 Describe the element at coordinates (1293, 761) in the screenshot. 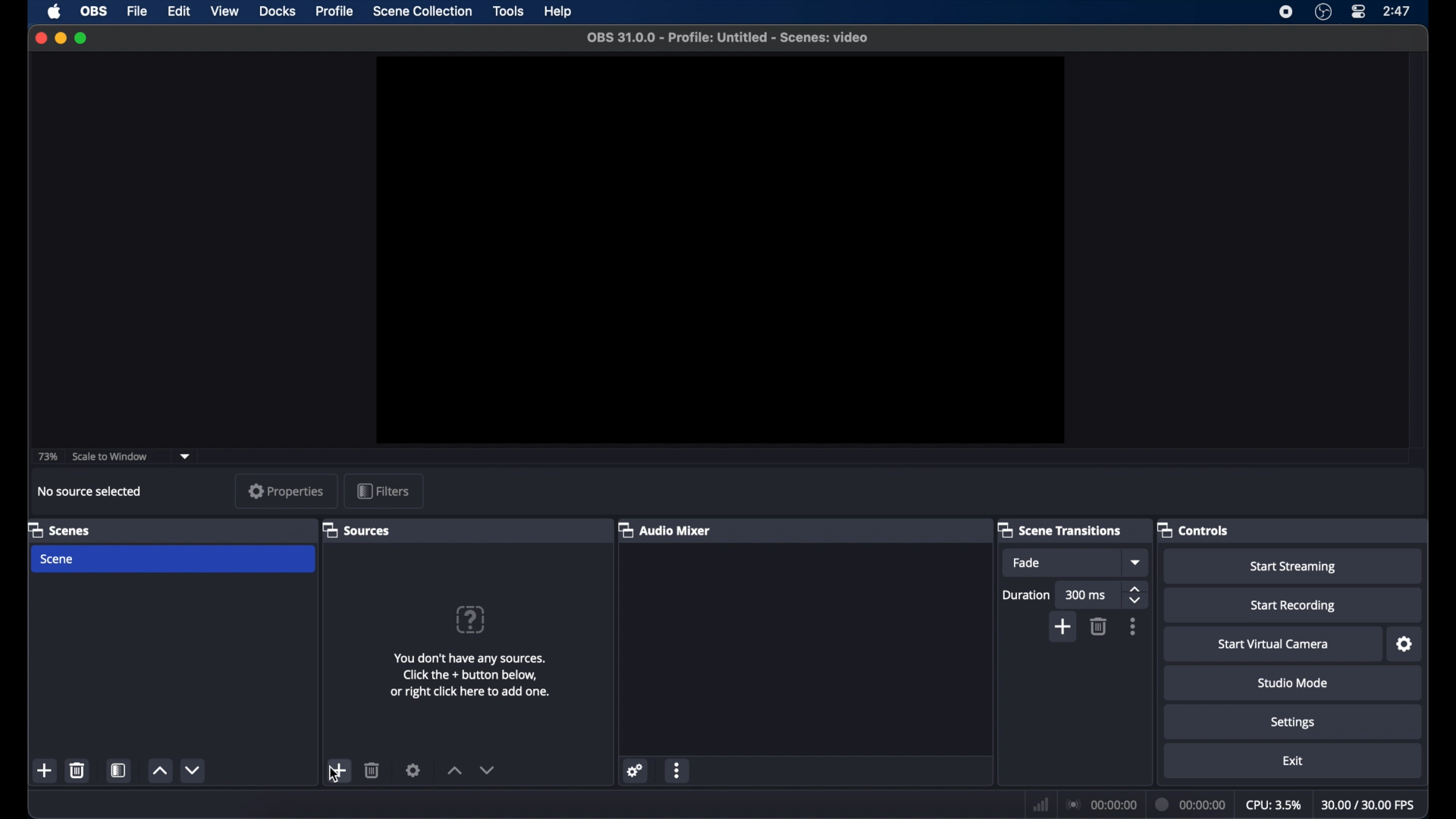

I see `exit ` at that location.